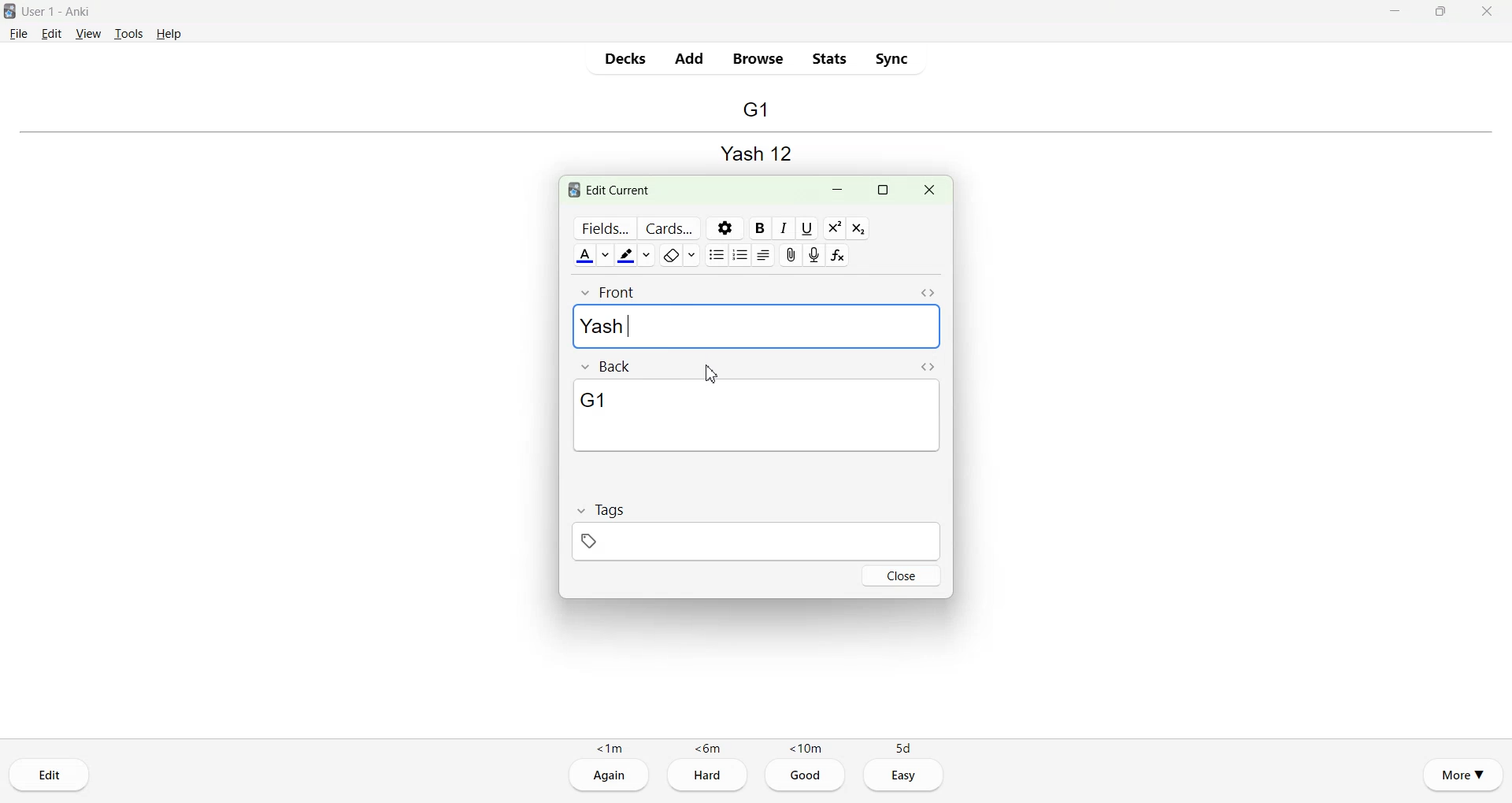 Image resolution: width=1512 pixels, height=803 pixels. What do you see at coordinates (784, 228) in the screenshot?
I see `Italic text` at bounding box center [784, 228].